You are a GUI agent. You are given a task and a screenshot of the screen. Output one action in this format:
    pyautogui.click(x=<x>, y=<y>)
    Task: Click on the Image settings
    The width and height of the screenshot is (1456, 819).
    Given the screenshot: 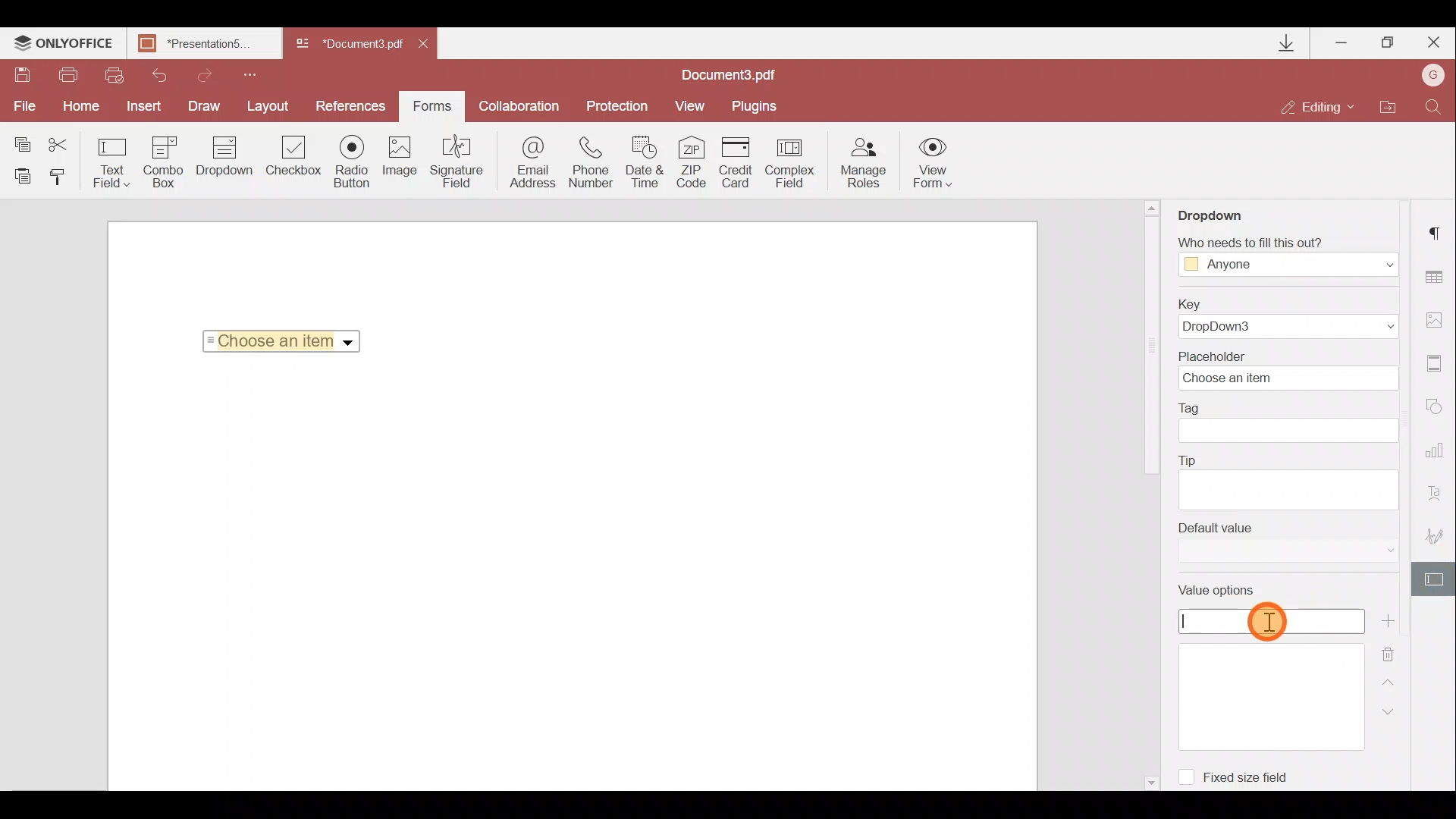 What is the action you would take?
    pyautogui.click(x=1439, y=319)
    